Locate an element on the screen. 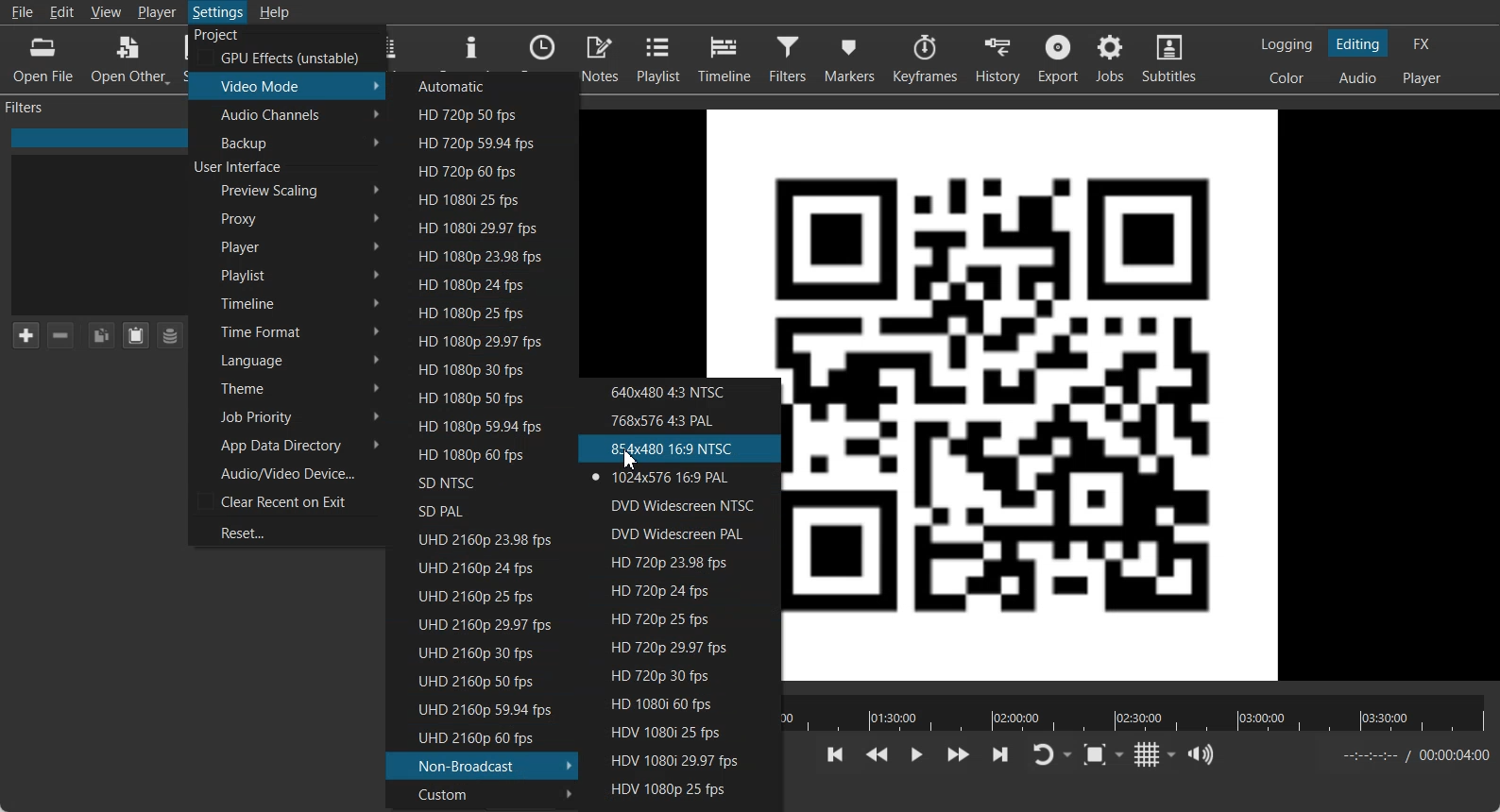 The image size is (1500, 812). Audio/Video Device is located at coordinates (286, 472).